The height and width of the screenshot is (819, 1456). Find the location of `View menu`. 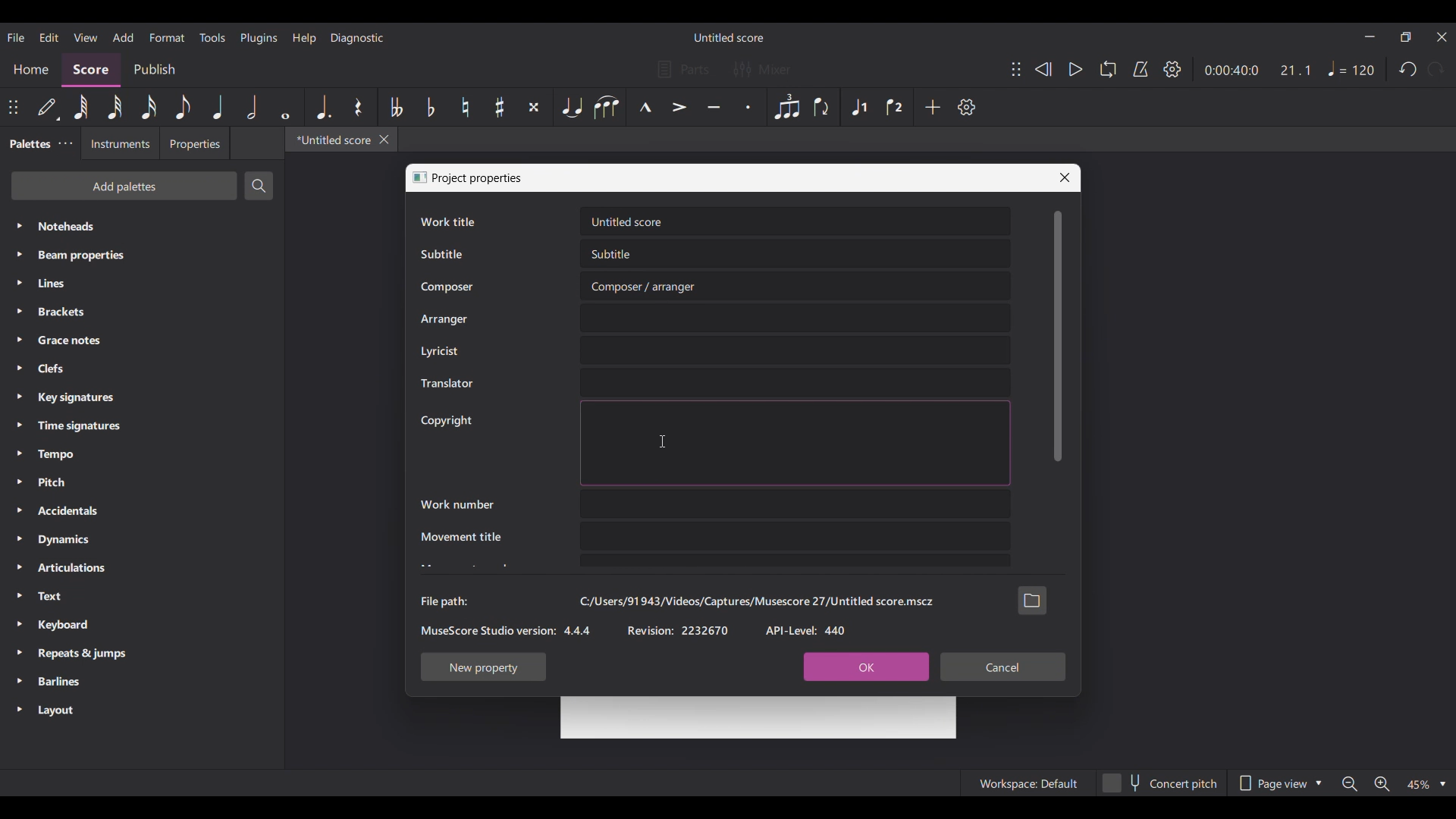

View menu is located at coordinates (86, 37).